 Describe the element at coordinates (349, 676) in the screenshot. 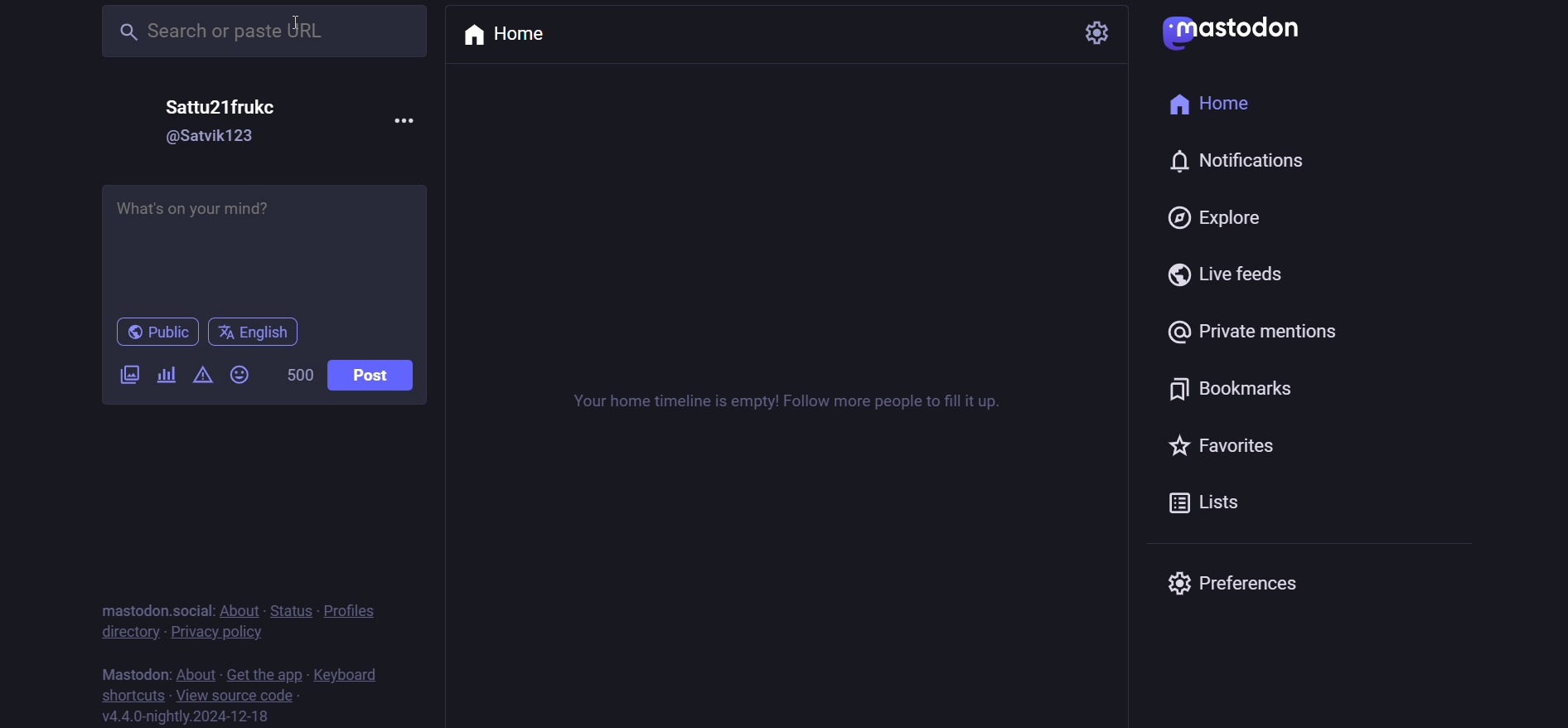

I see `keyboard` at that location.